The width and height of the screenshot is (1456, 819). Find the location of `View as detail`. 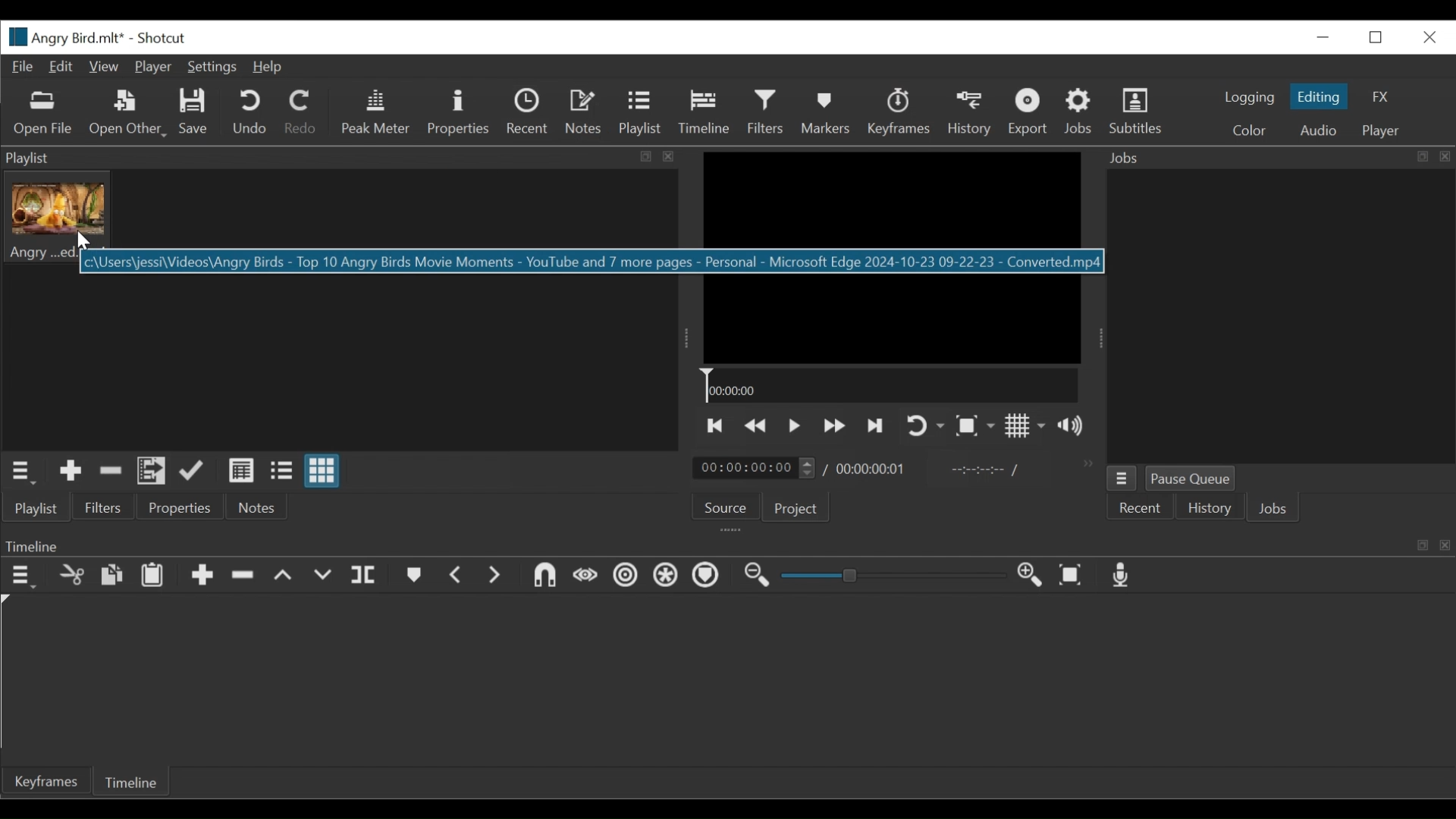

View as detail is located at coordinates (242, 472).